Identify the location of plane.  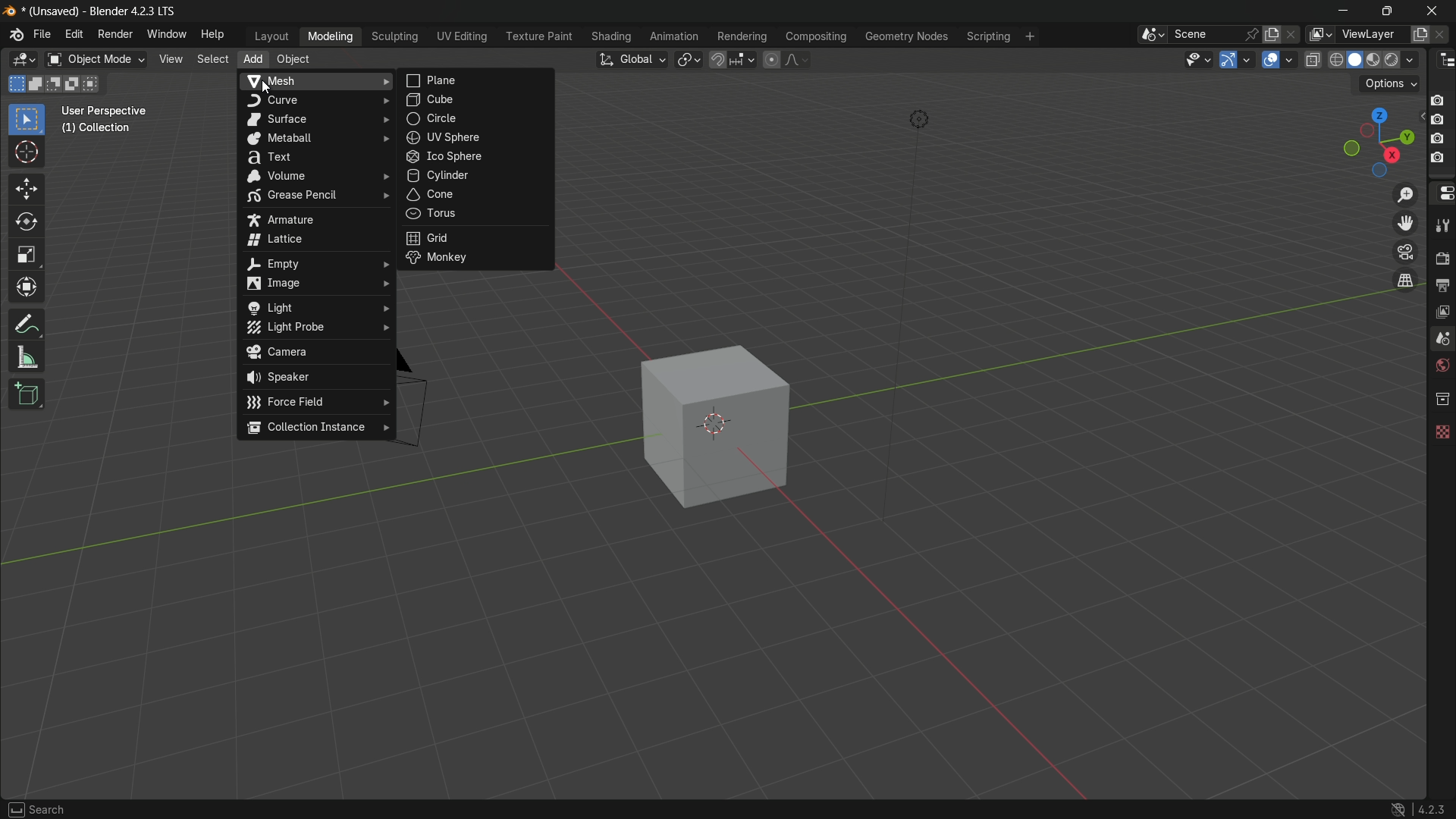
(479, 80).